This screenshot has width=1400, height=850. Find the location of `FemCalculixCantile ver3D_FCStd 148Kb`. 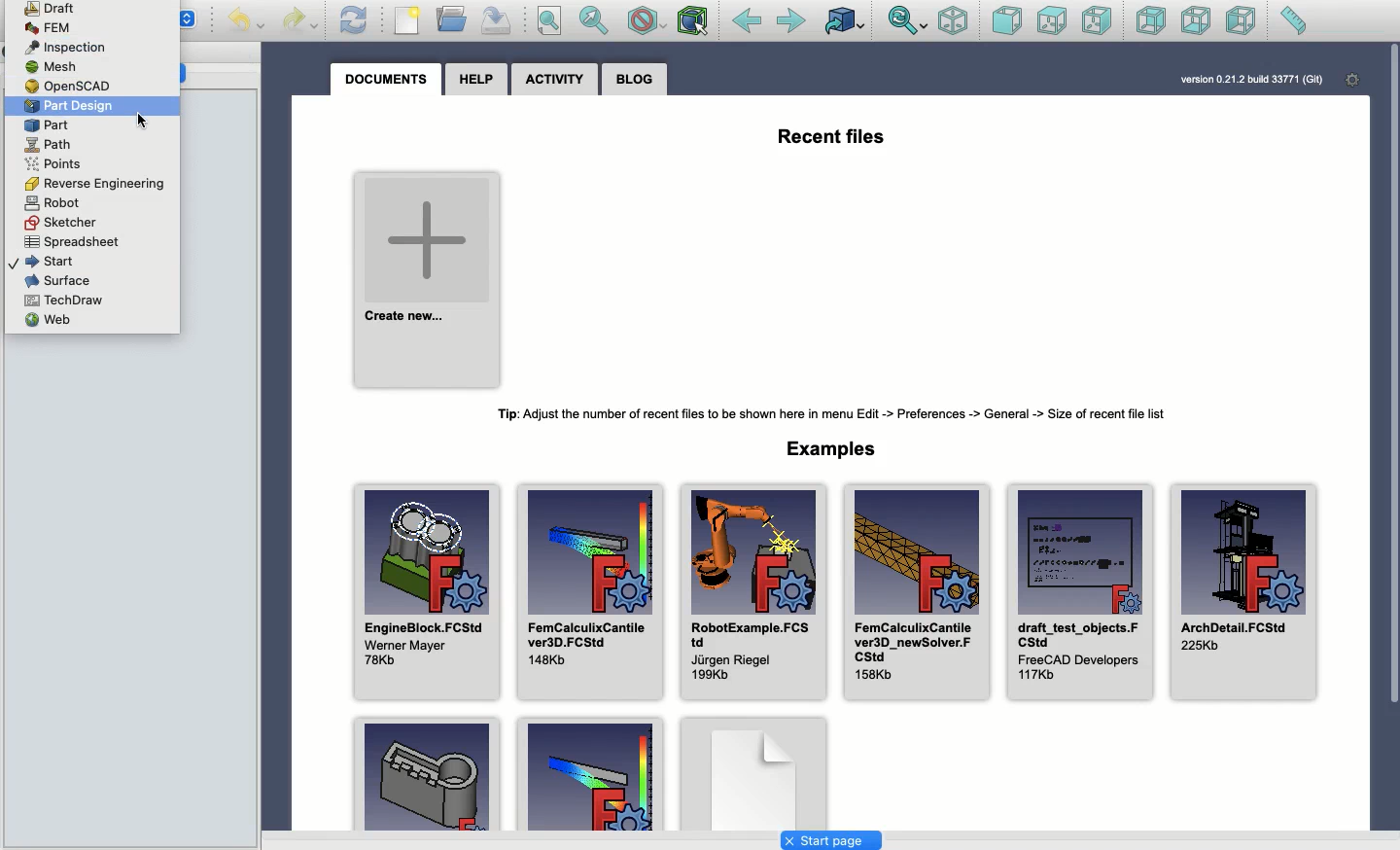

FemCalculixCantile ver3D_FCStd 148Kb is located at coordinates (588, 592).